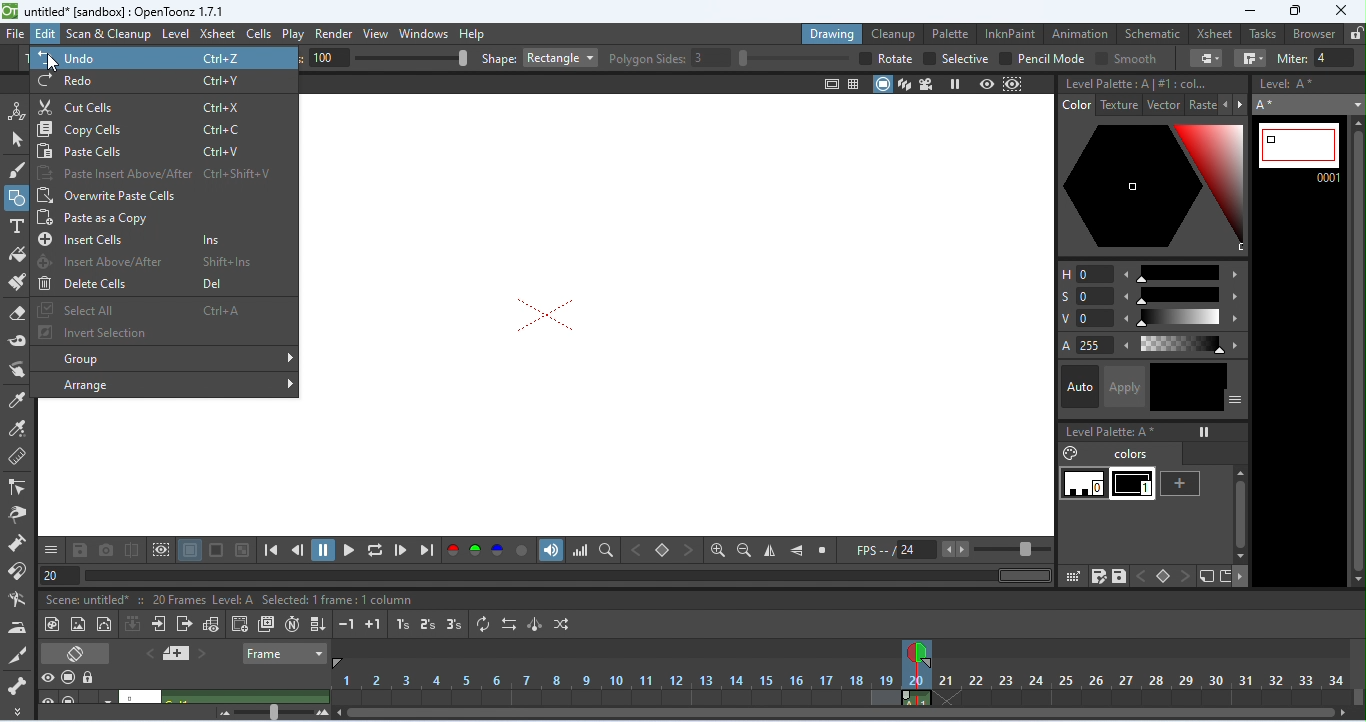 The height and width of the screenshot is (722, 1366). I want to click on value, so click(1153, 319).